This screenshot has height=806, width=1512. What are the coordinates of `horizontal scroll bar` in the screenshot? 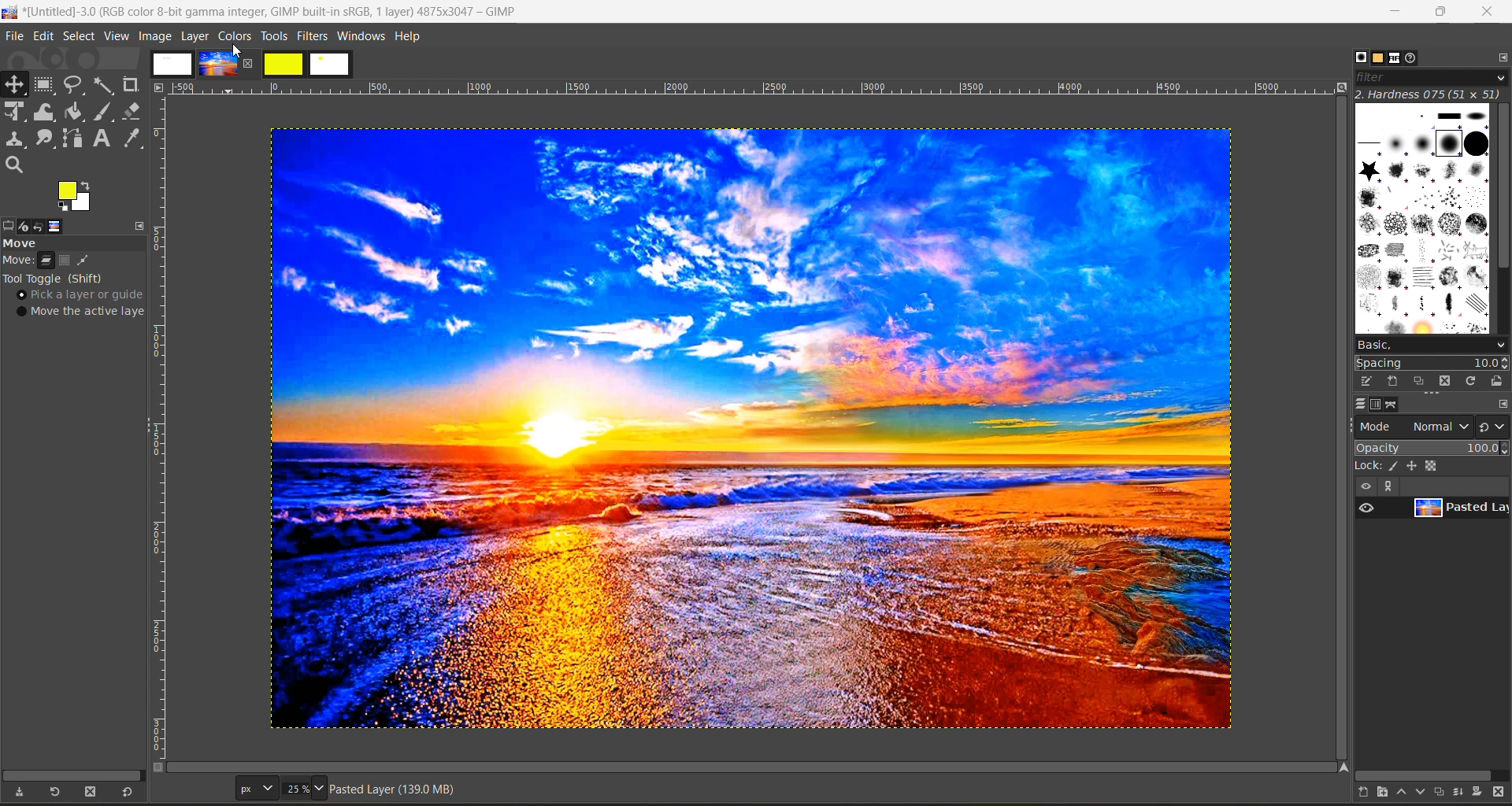 It's located at (1427, 775).